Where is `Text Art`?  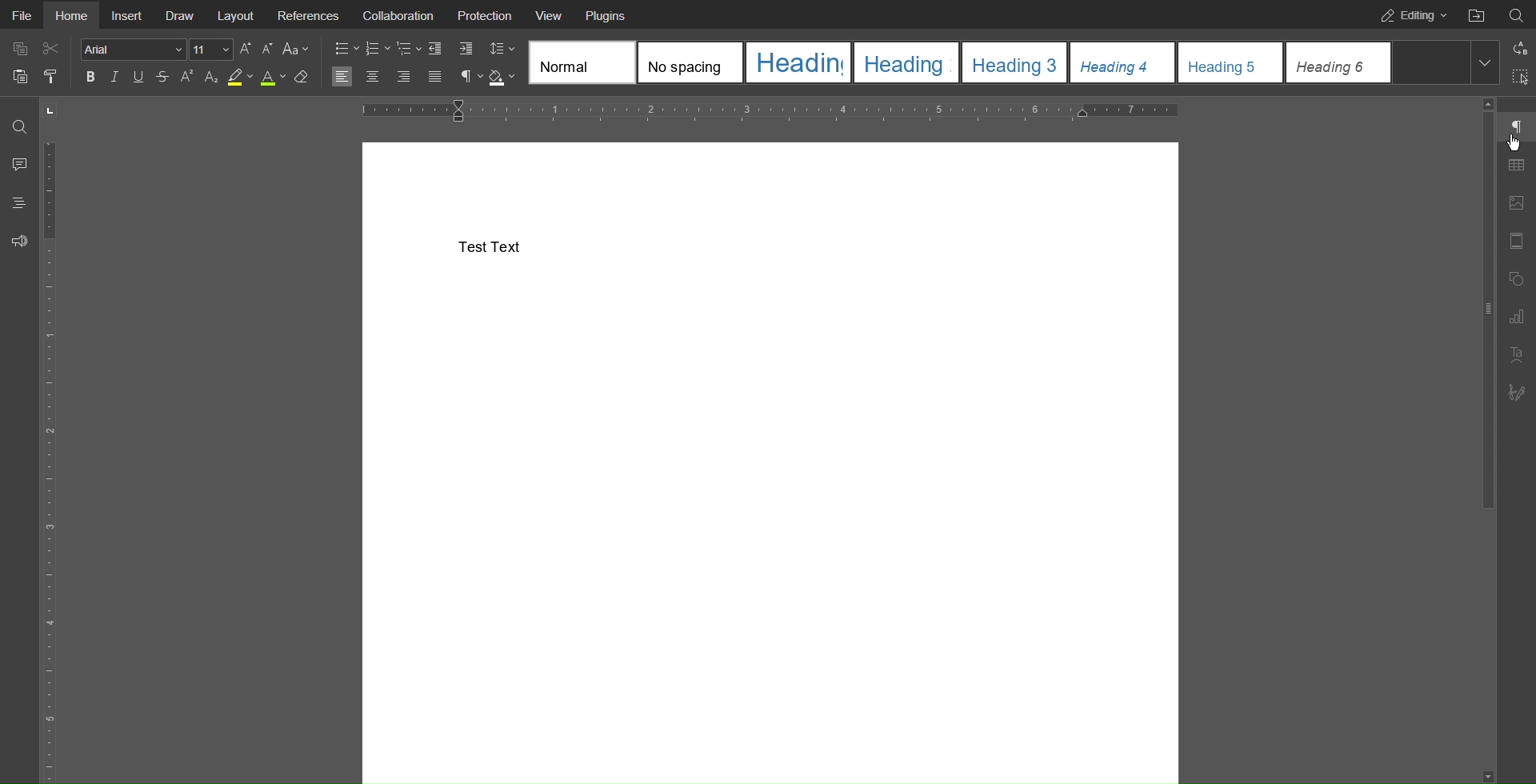
Text Art is located at coordinates (1517, 355).